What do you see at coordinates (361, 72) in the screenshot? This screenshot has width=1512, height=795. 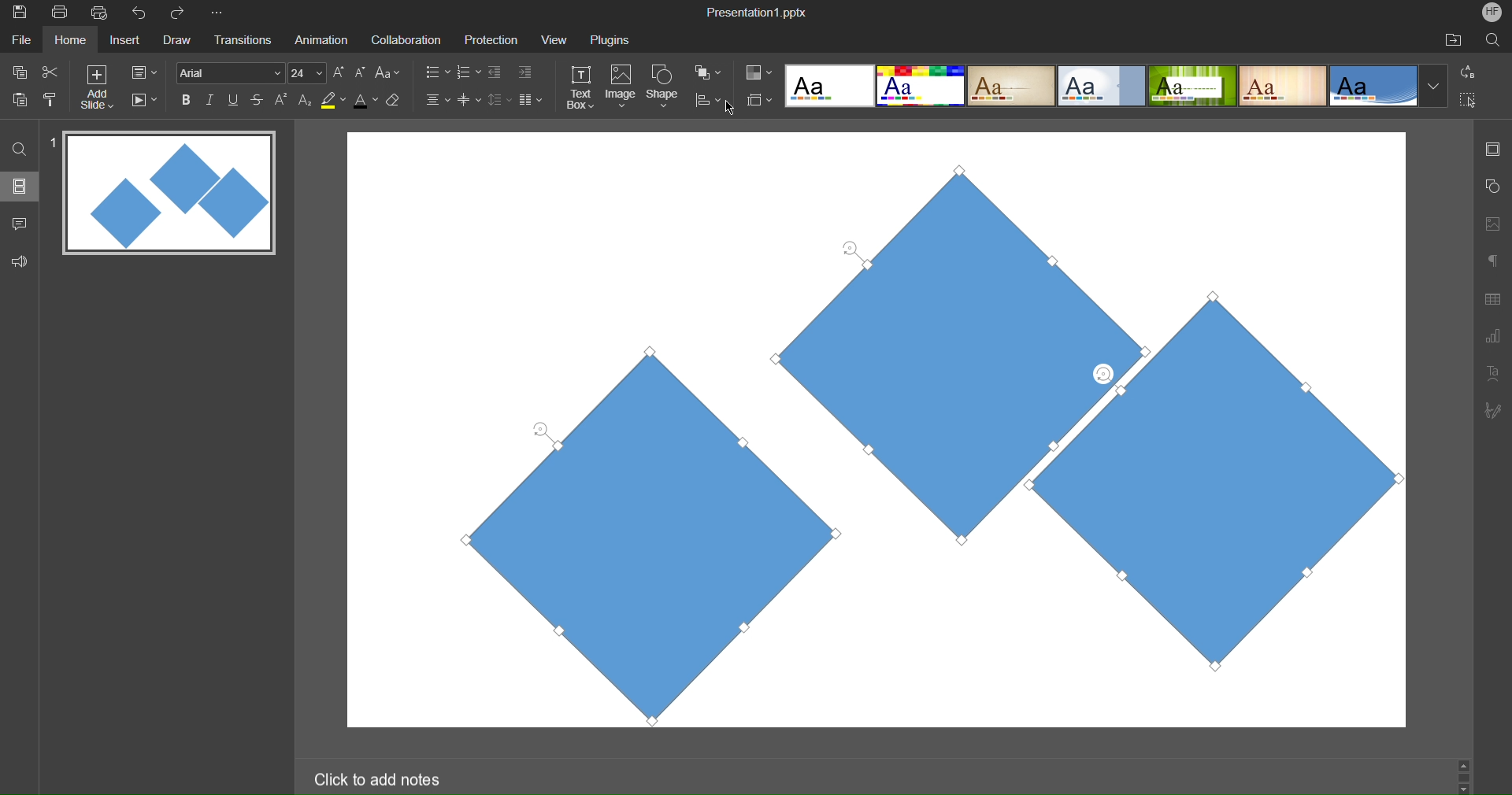 I see `Decrease Font` at bounding box center [361, 72].